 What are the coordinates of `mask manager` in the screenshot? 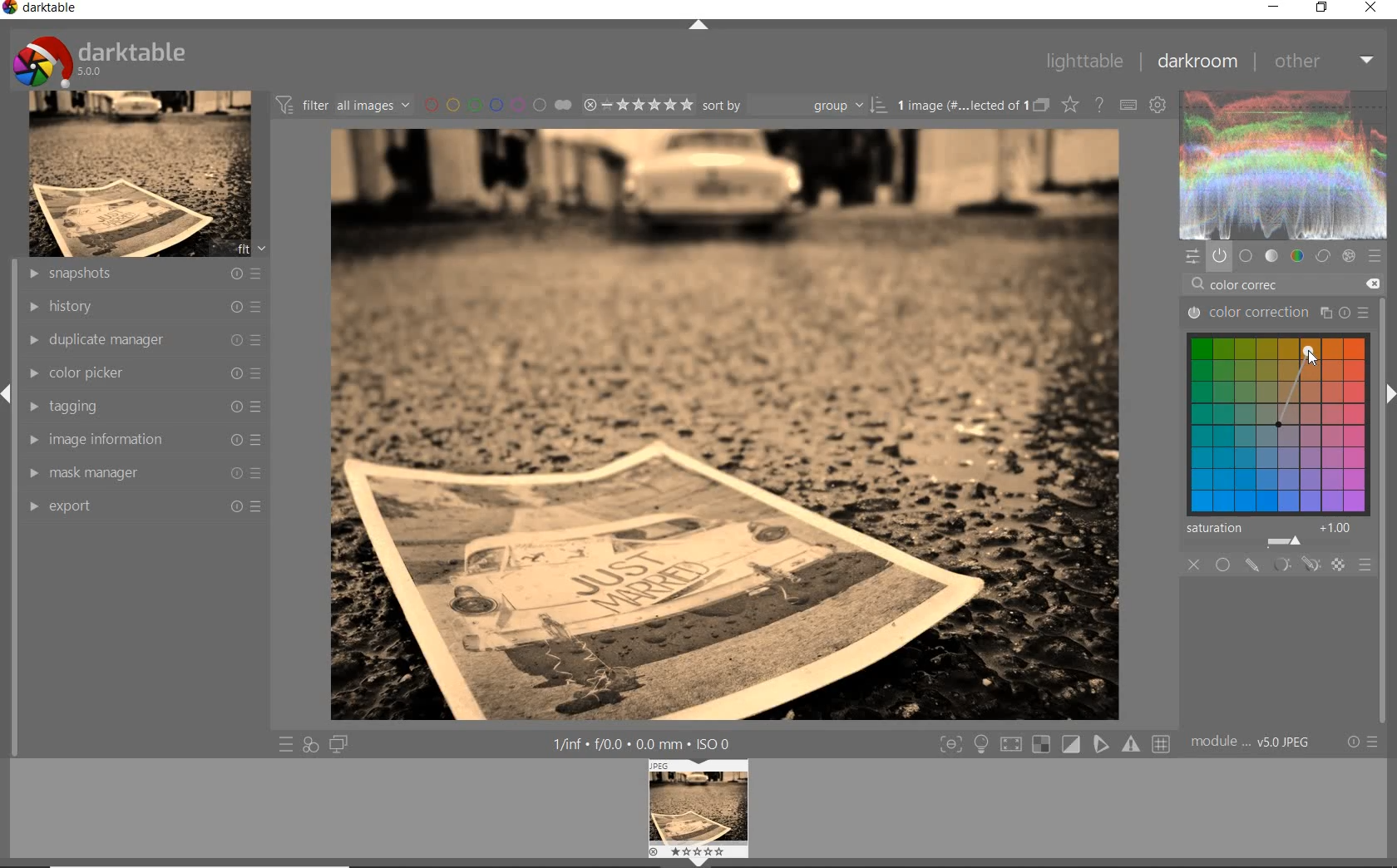 It's located at (146, 471).